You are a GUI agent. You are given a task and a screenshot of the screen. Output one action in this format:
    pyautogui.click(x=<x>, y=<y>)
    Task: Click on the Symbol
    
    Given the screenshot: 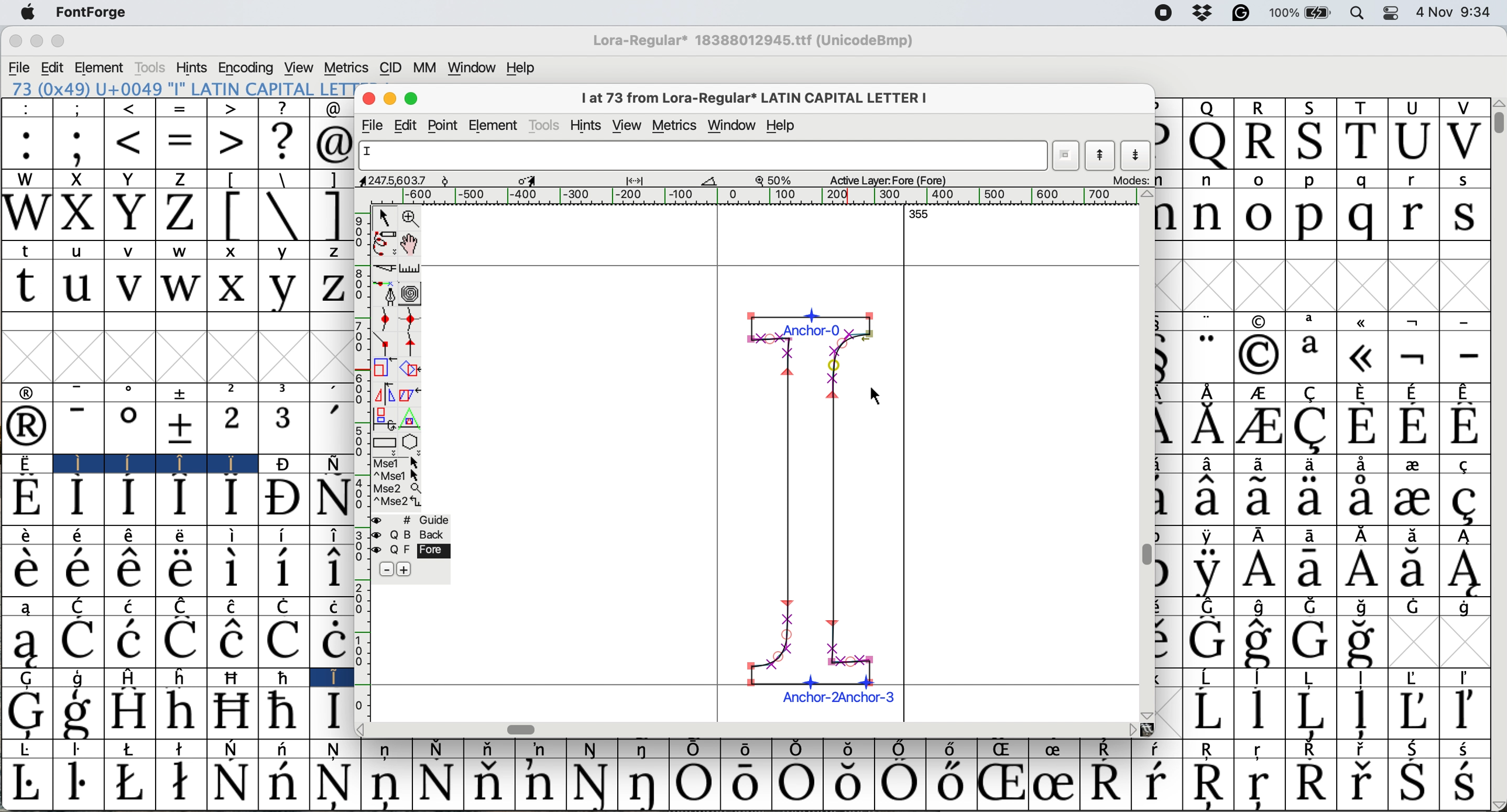 What is the action you would take?
    pyautogui.click(x=29, y=750)
    